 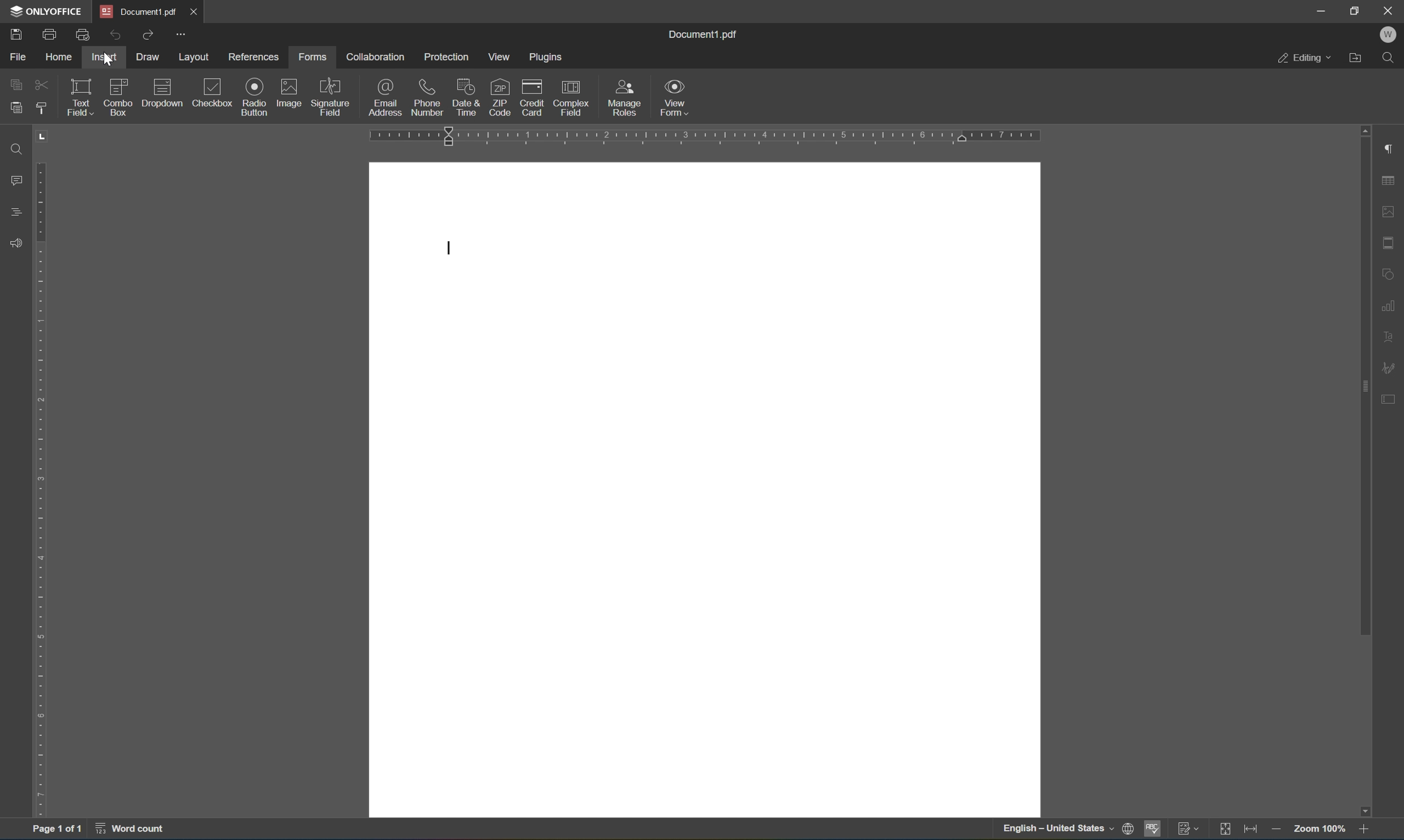 I want to click on Restore down, so click(x=1355, y=11).